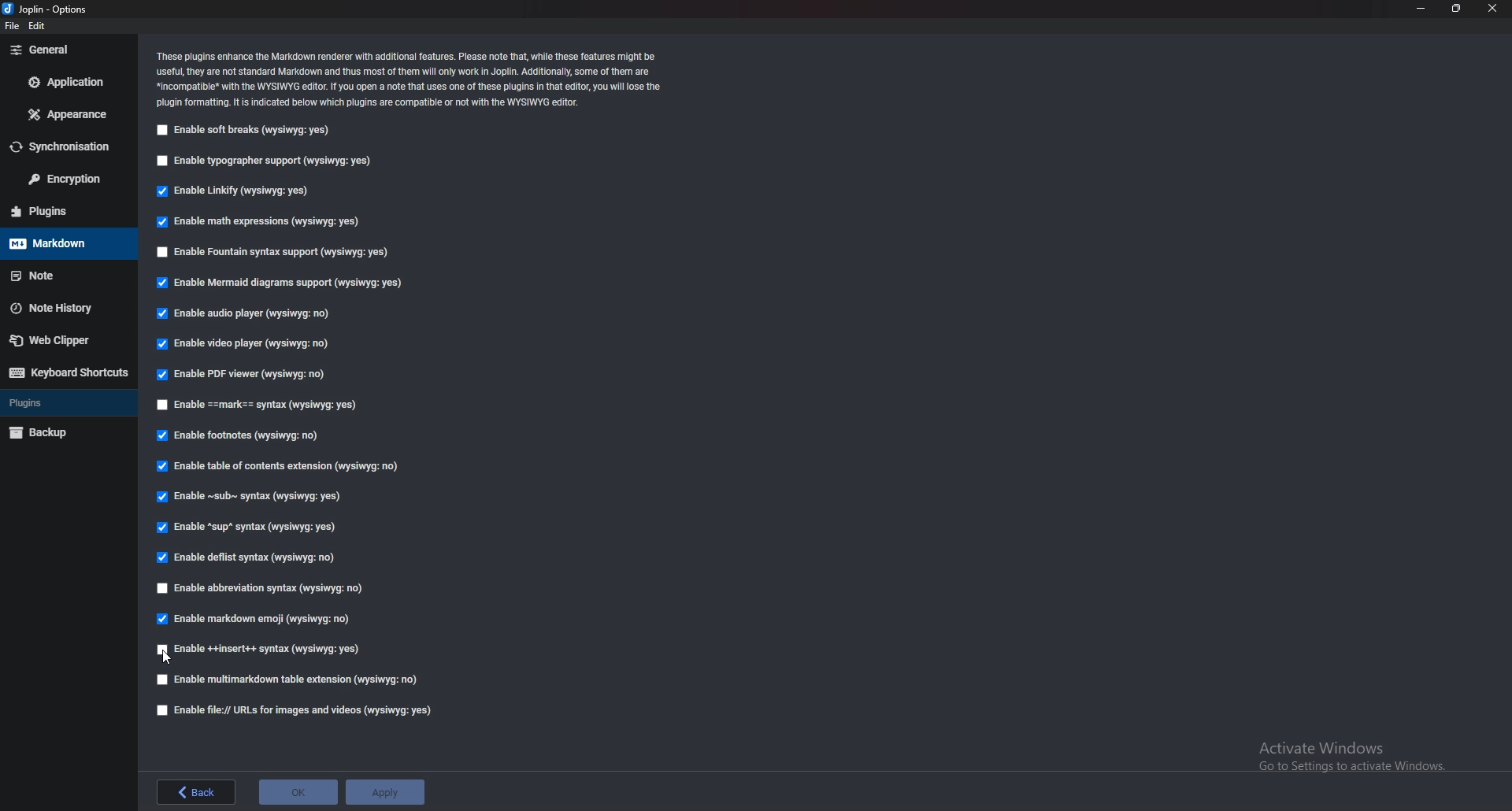 The width and height of the screenshot is (1512, 811). I want to click on options, so click(52, 10).